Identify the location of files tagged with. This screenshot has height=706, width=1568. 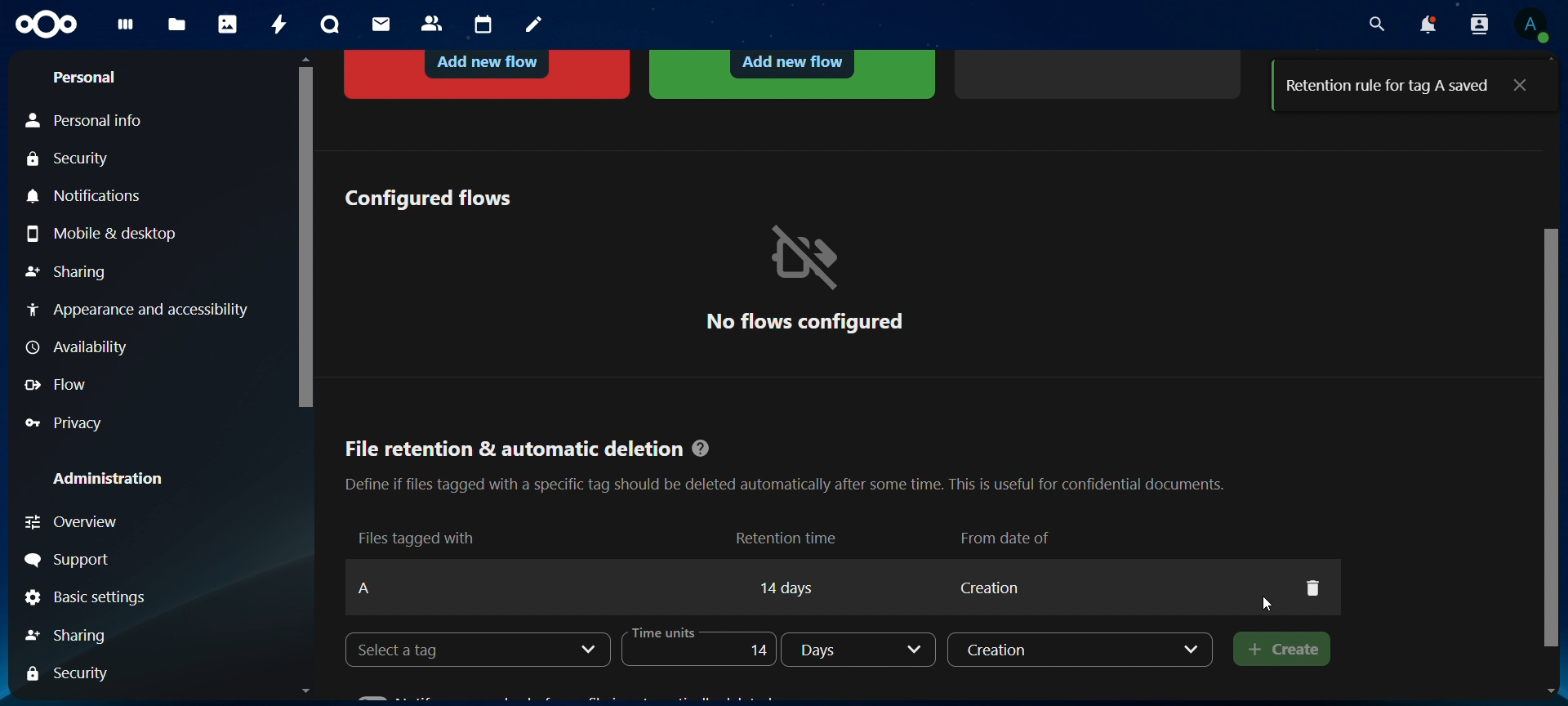
(418, 537).